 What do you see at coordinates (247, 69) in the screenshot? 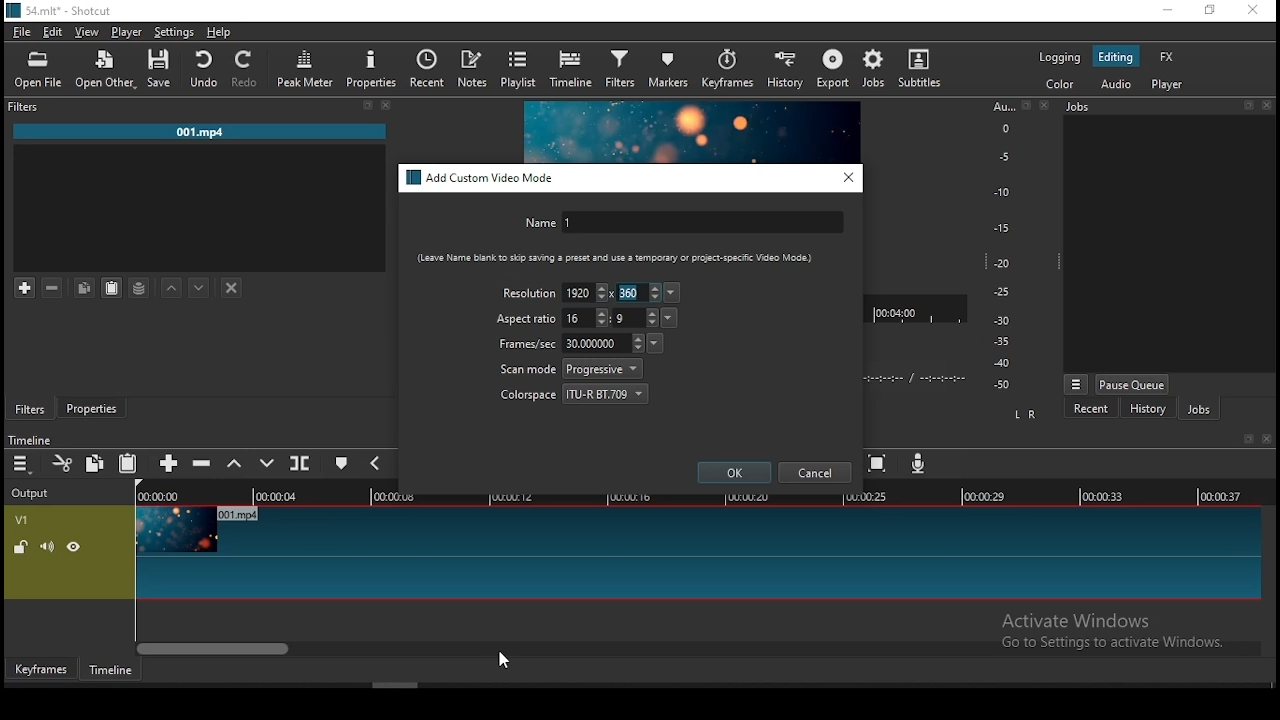
I see `redo` at bounding box center [247, 69].